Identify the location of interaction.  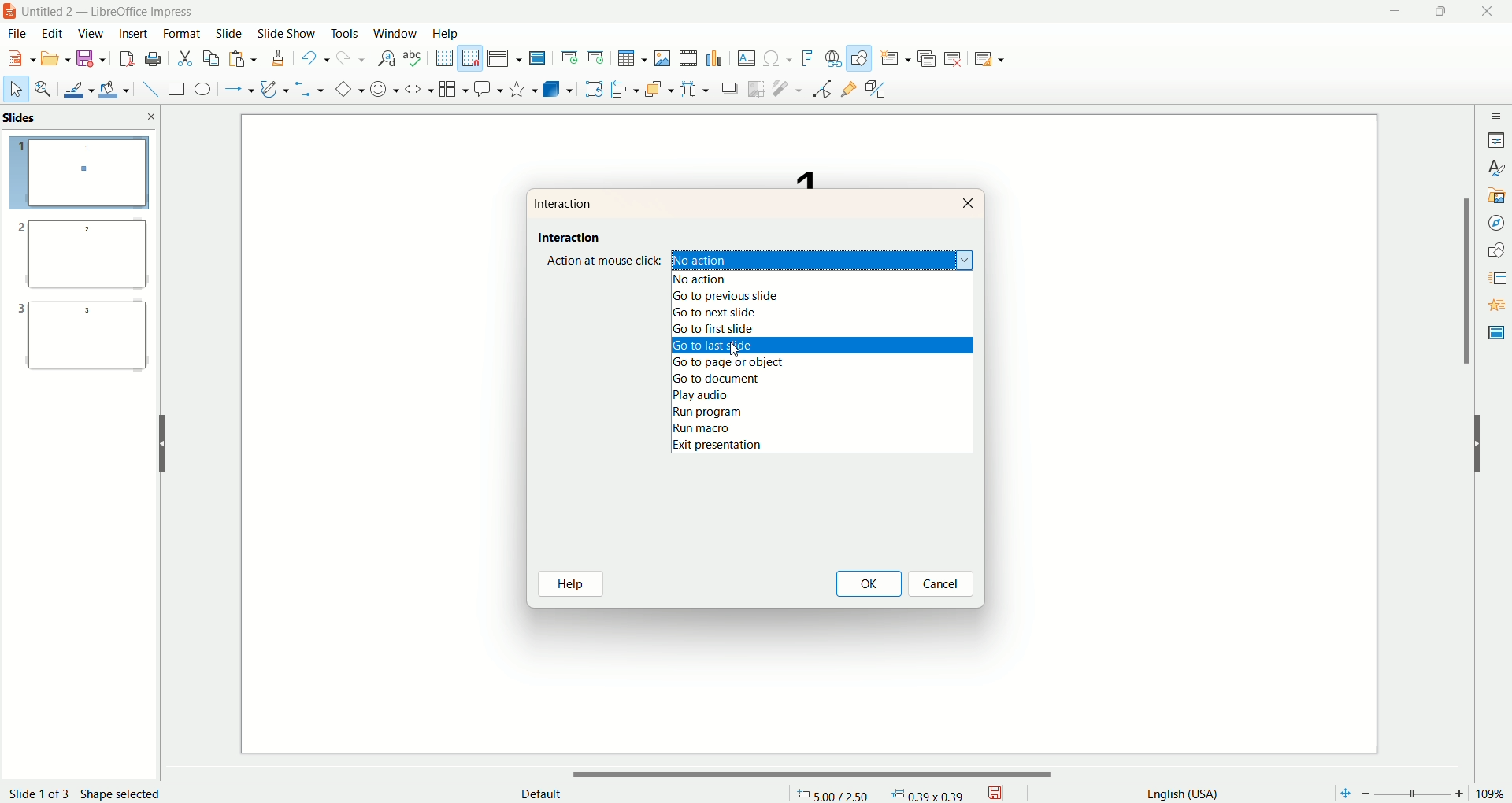
(566, 235).